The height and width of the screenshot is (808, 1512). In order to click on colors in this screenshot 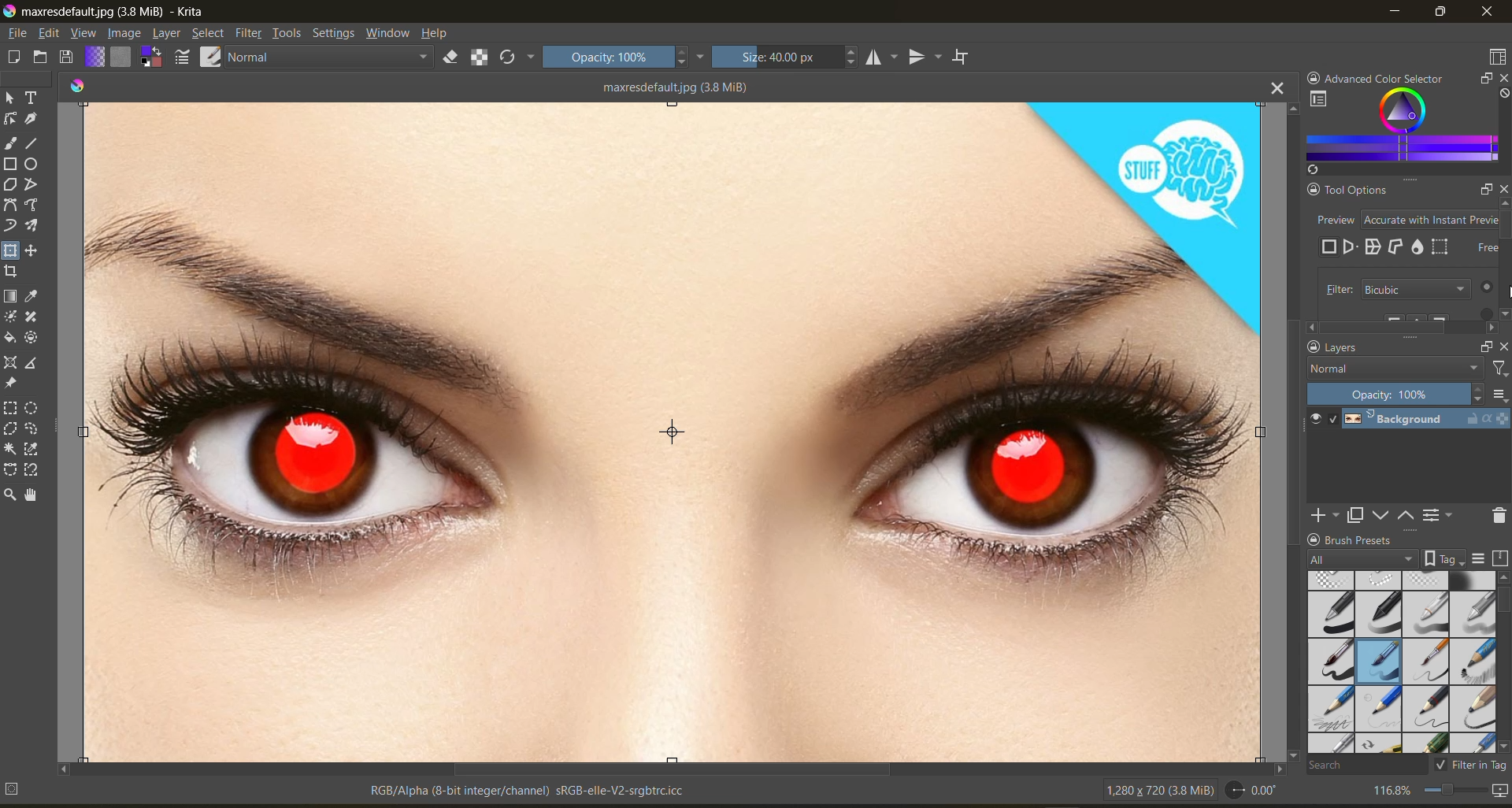, I will do `click(78, 86)`.